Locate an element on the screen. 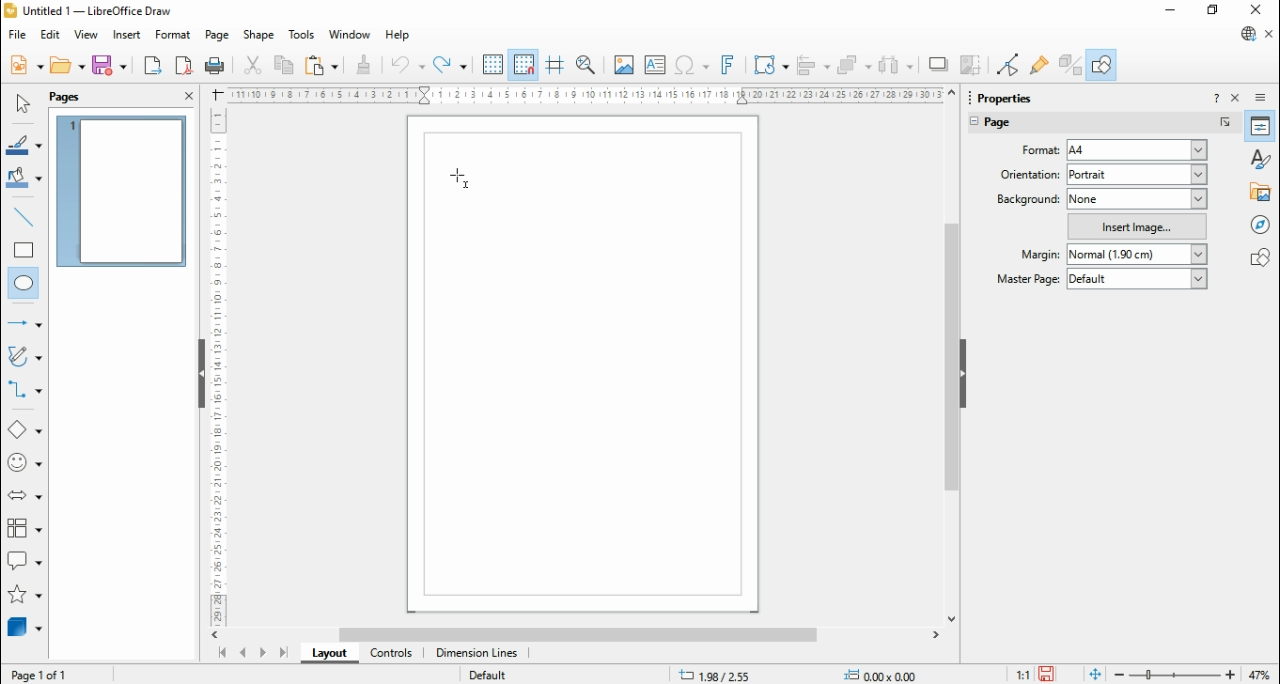 The image size is (1280, 684). properties is located at coordinates (1014, 96).